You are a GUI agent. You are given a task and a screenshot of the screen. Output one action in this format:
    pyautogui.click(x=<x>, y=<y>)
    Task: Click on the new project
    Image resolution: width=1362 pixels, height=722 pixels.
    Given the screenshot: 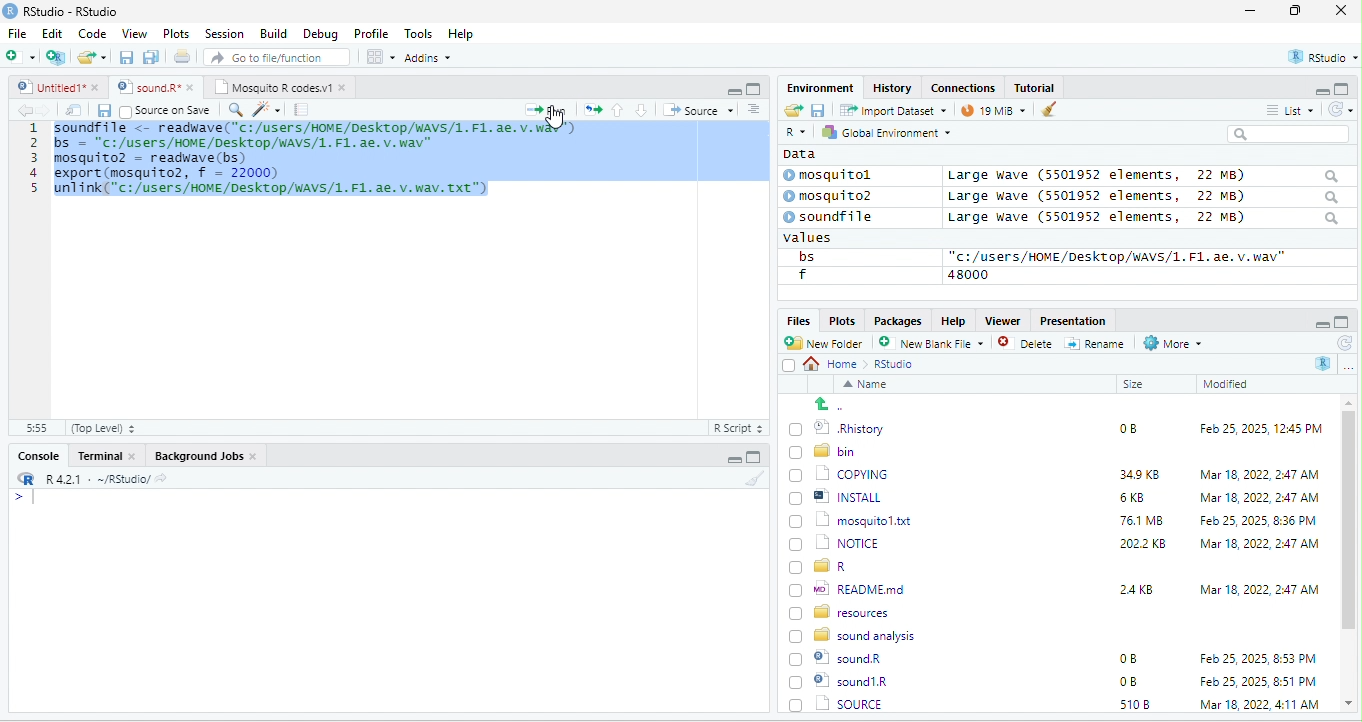 What is the action you would take?
    pyautogui.click(x=57, y=57)
    